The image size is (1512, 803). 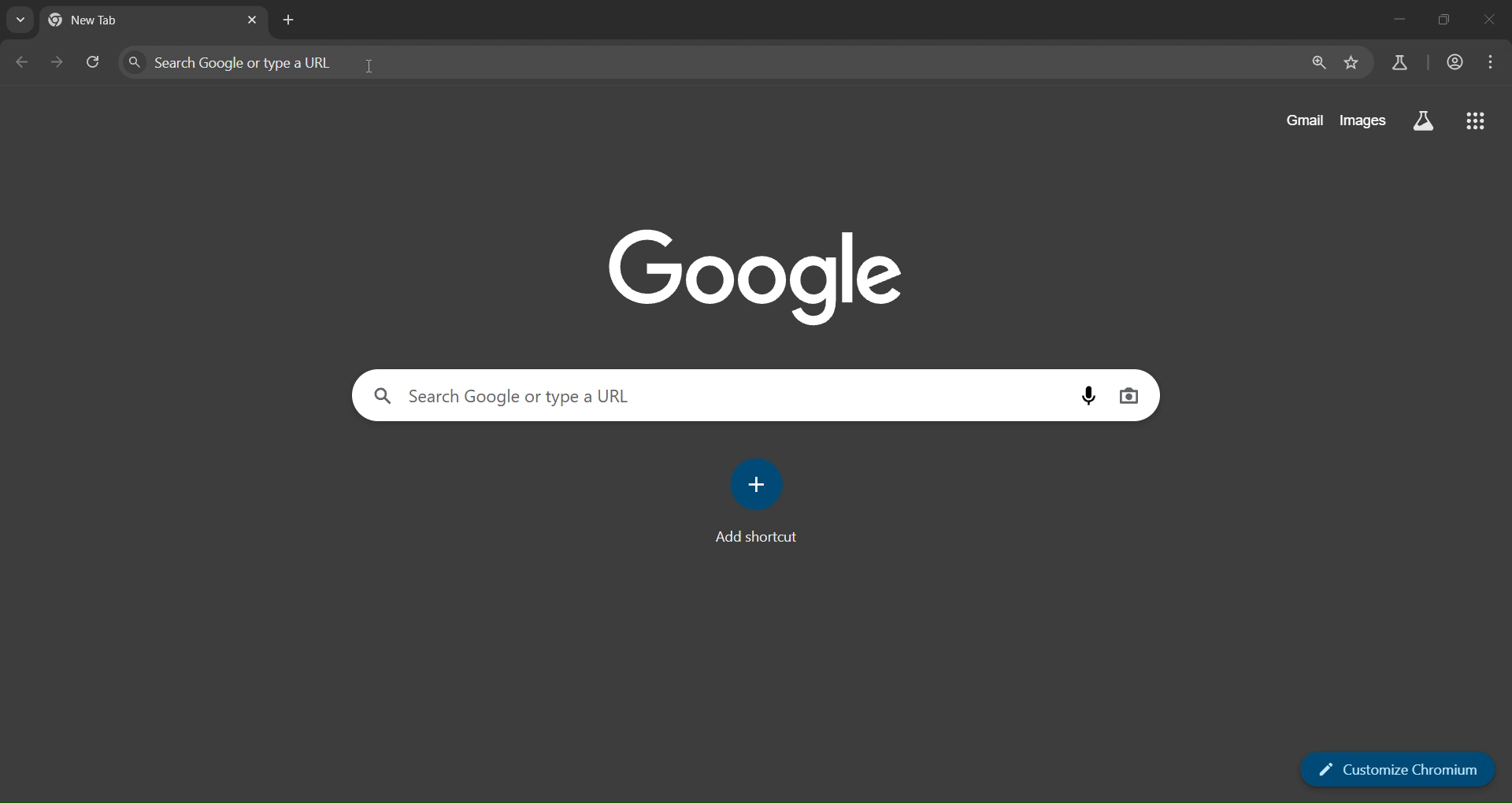 What do you see at coordinates (372, 68) in the screenshot?
I see `cursor` at bounding box center [372, 68].